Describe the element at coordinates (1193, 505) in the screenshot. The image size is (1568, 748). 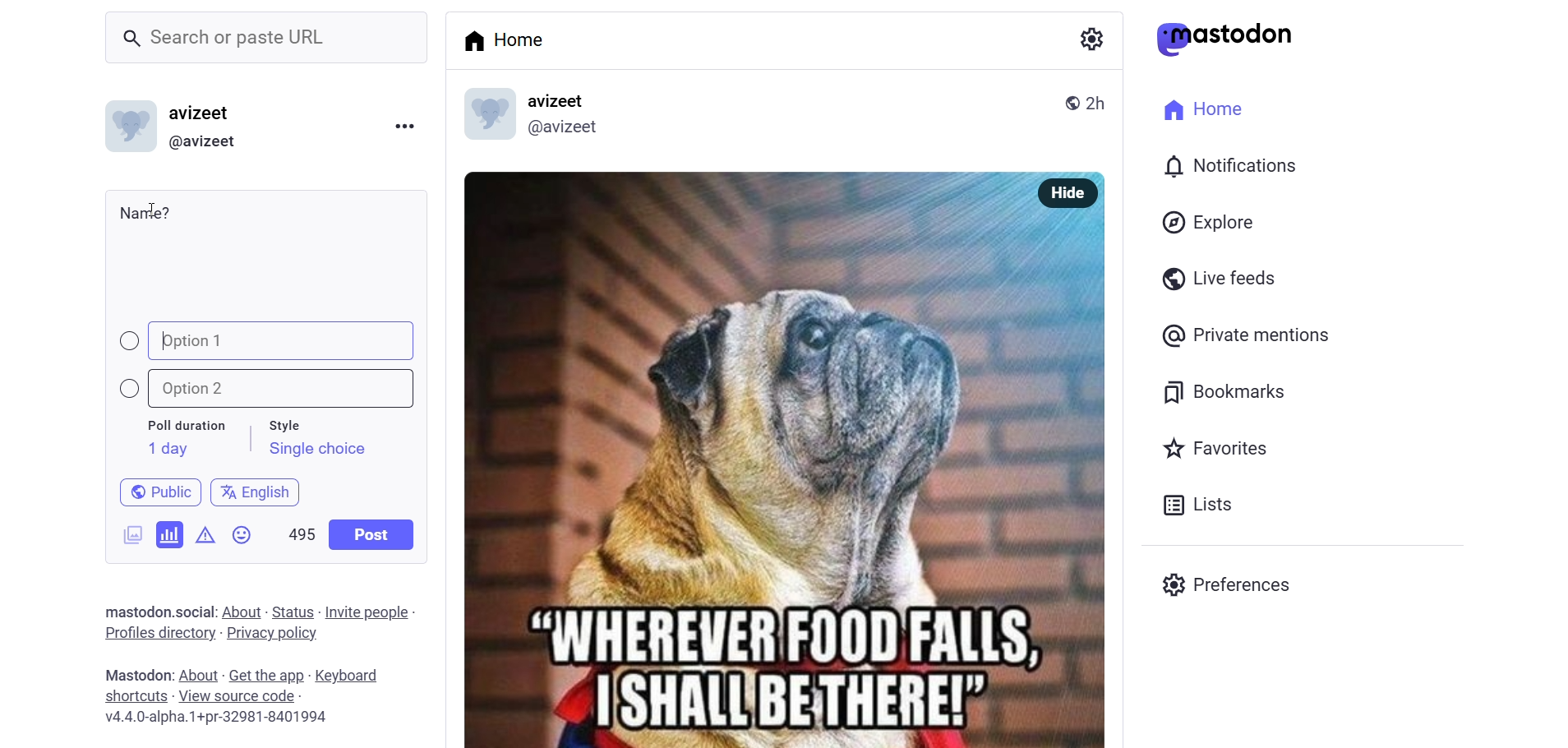
I see `list` at that location.